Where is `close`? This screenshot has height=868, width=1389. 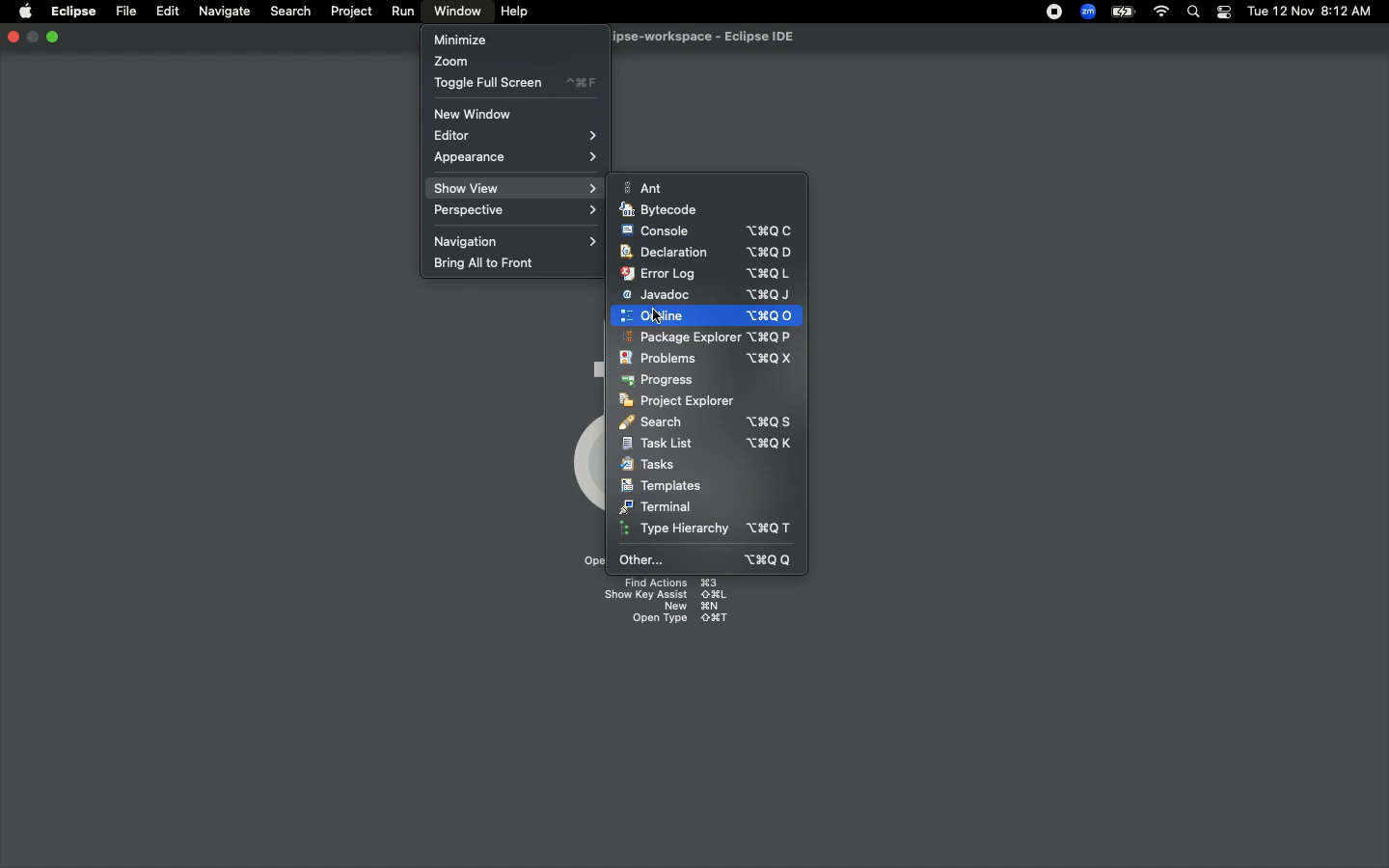 close is located at coordinates (13, 39).